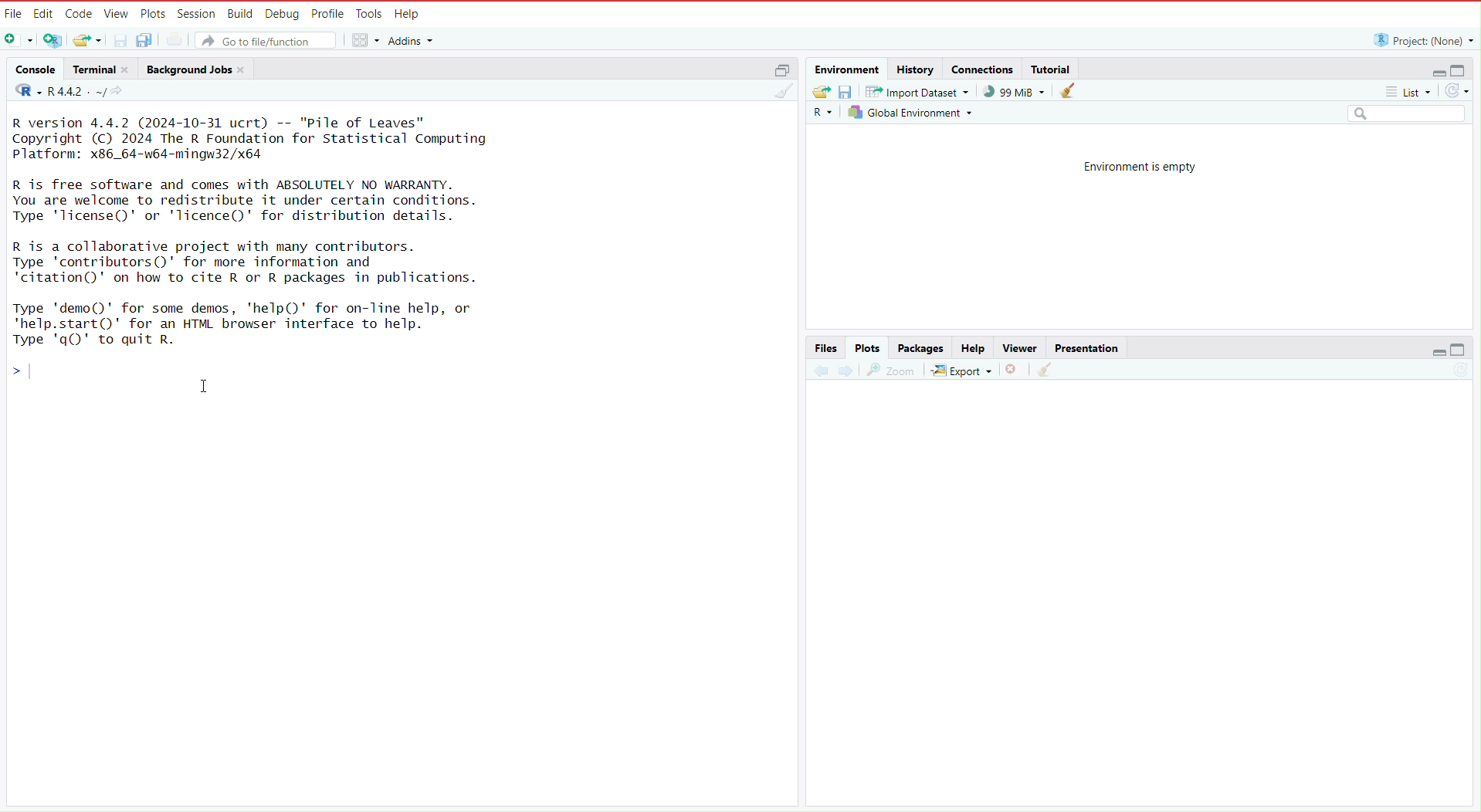 This screenshot has width=1481, height=812. I want to click on create a project, so click(51, 39).